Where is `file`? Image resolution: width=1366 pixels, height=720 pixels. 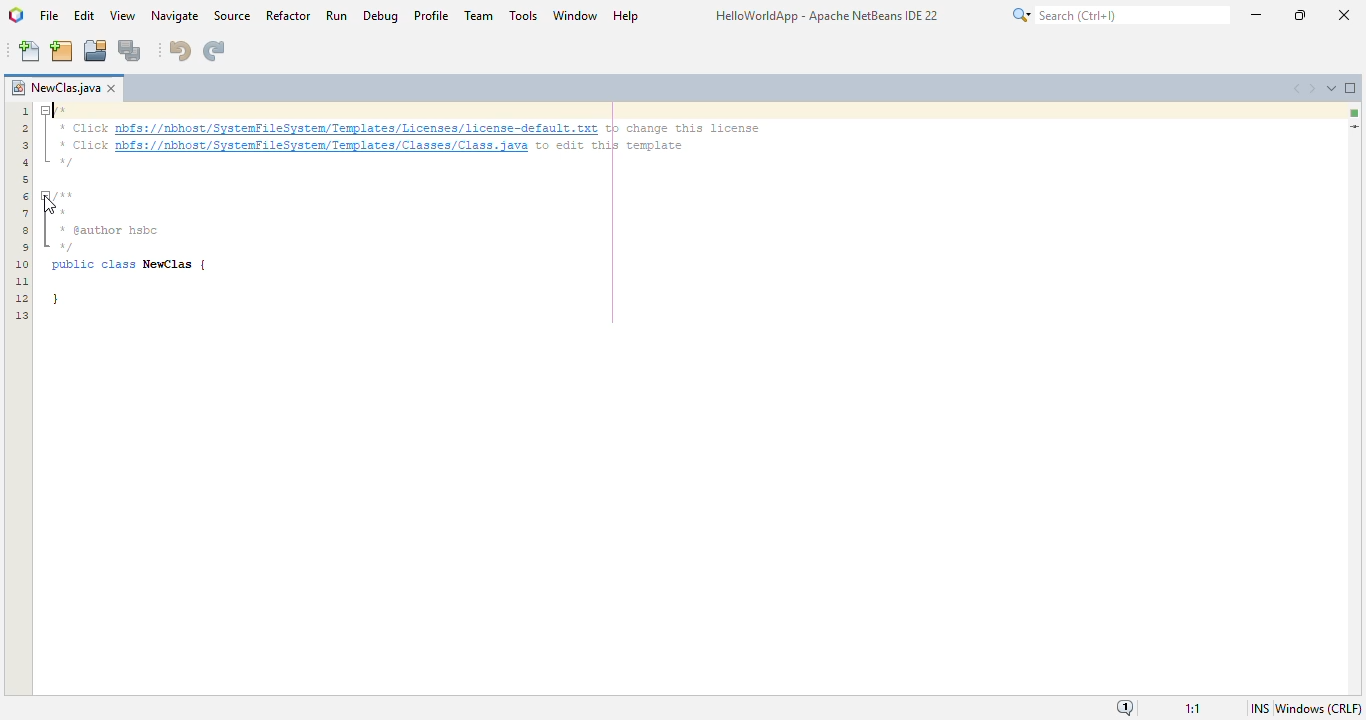 file is located at coordinates (50, 16).